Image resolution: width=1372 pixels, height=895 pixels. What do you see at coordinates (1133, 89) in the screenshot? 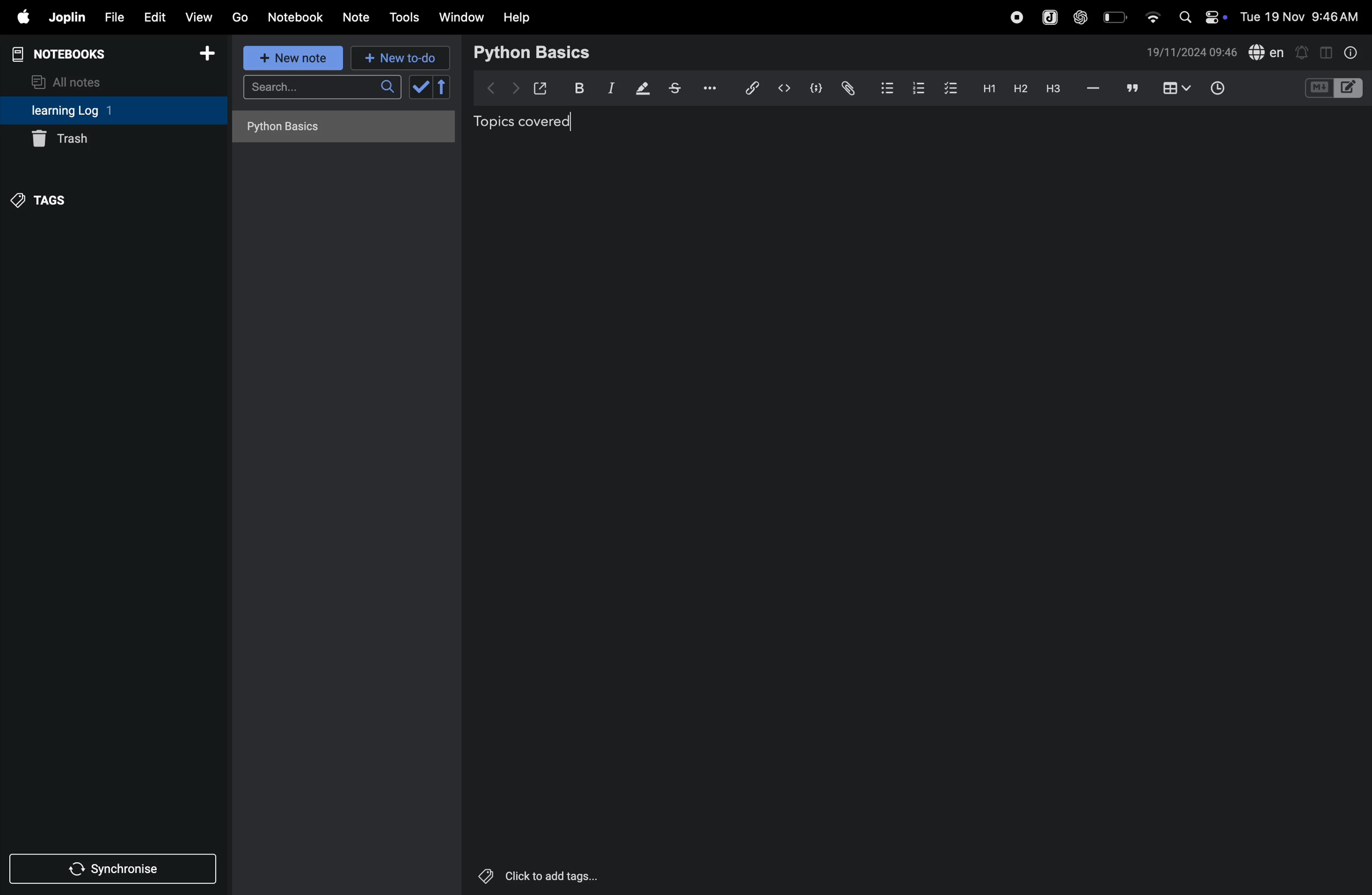
I see `comment` at bounding box center [1133, 89].